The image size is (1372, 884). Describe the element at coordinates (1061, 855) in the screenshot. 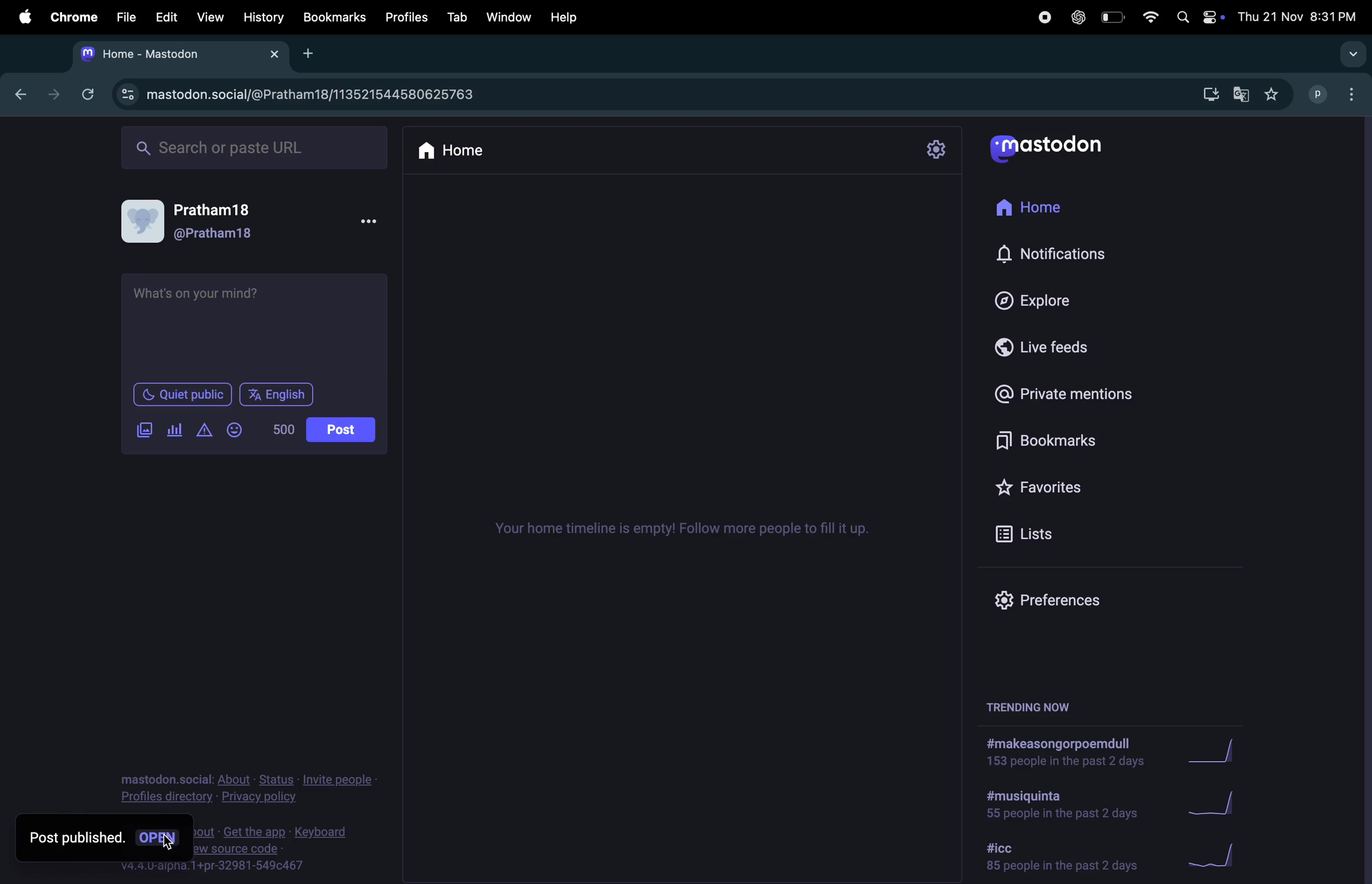

I see `hashtag` at that location.